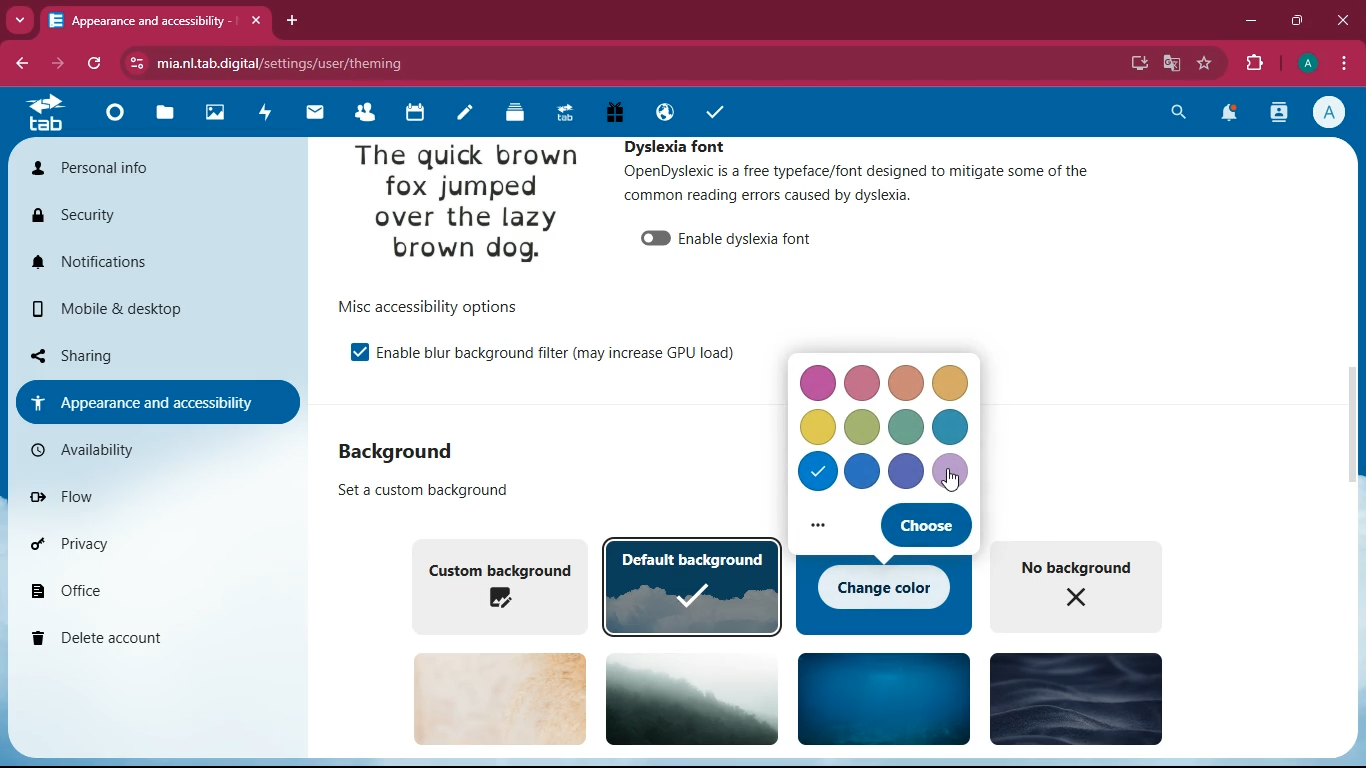 The width and height of the screenshot is (1366, 768). Describe the element at coordinates (112, 118) in the screenshot. I see `home` at that location.